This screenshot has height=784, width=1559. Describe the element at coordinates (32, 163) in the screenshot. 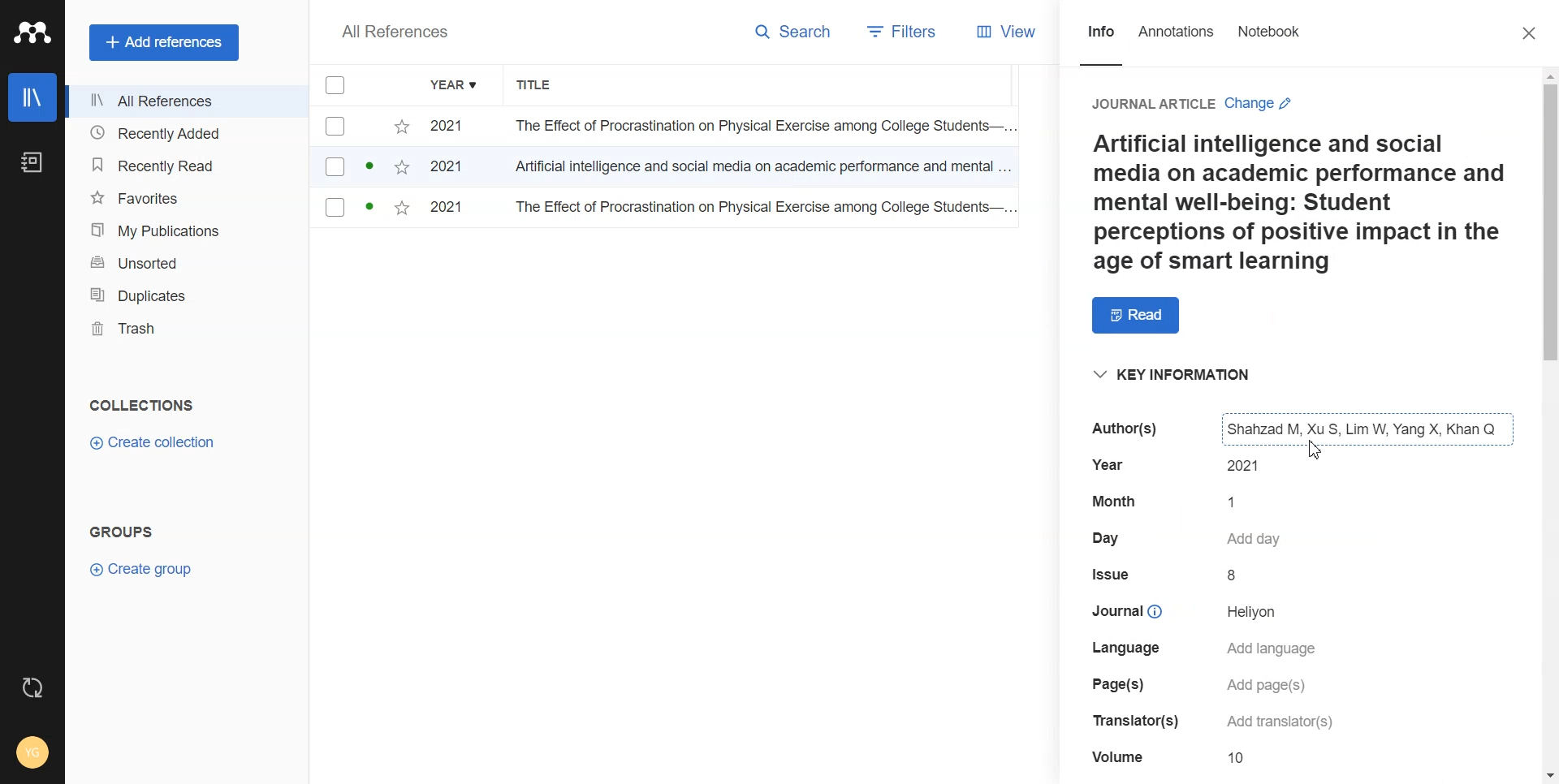

I see `Notebook` at that location.